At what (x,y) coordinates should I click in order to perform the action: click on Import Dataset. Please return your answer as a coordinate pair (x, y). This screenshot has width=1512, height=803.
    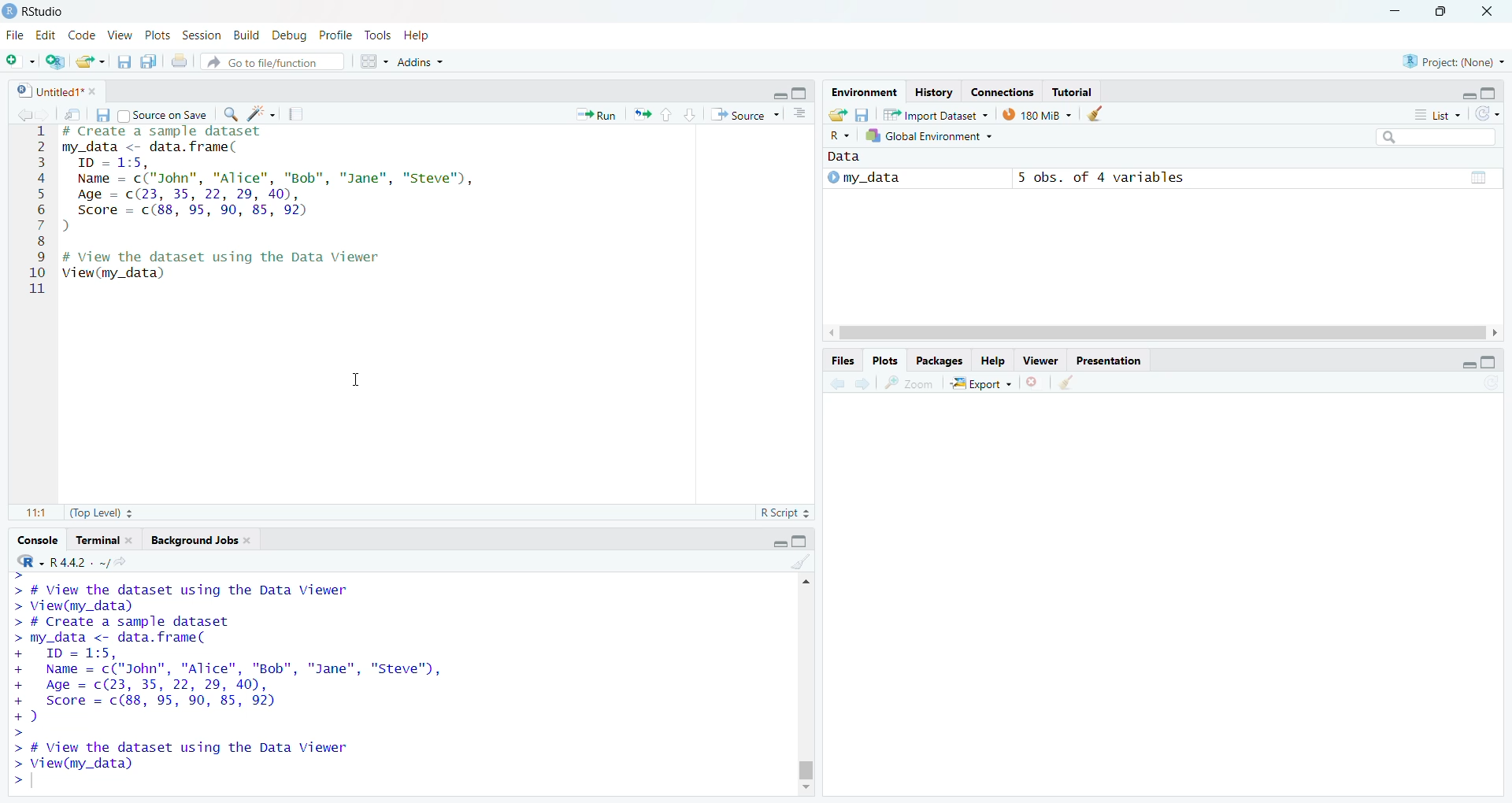
    Looking at the image, I should click on (935, 115).